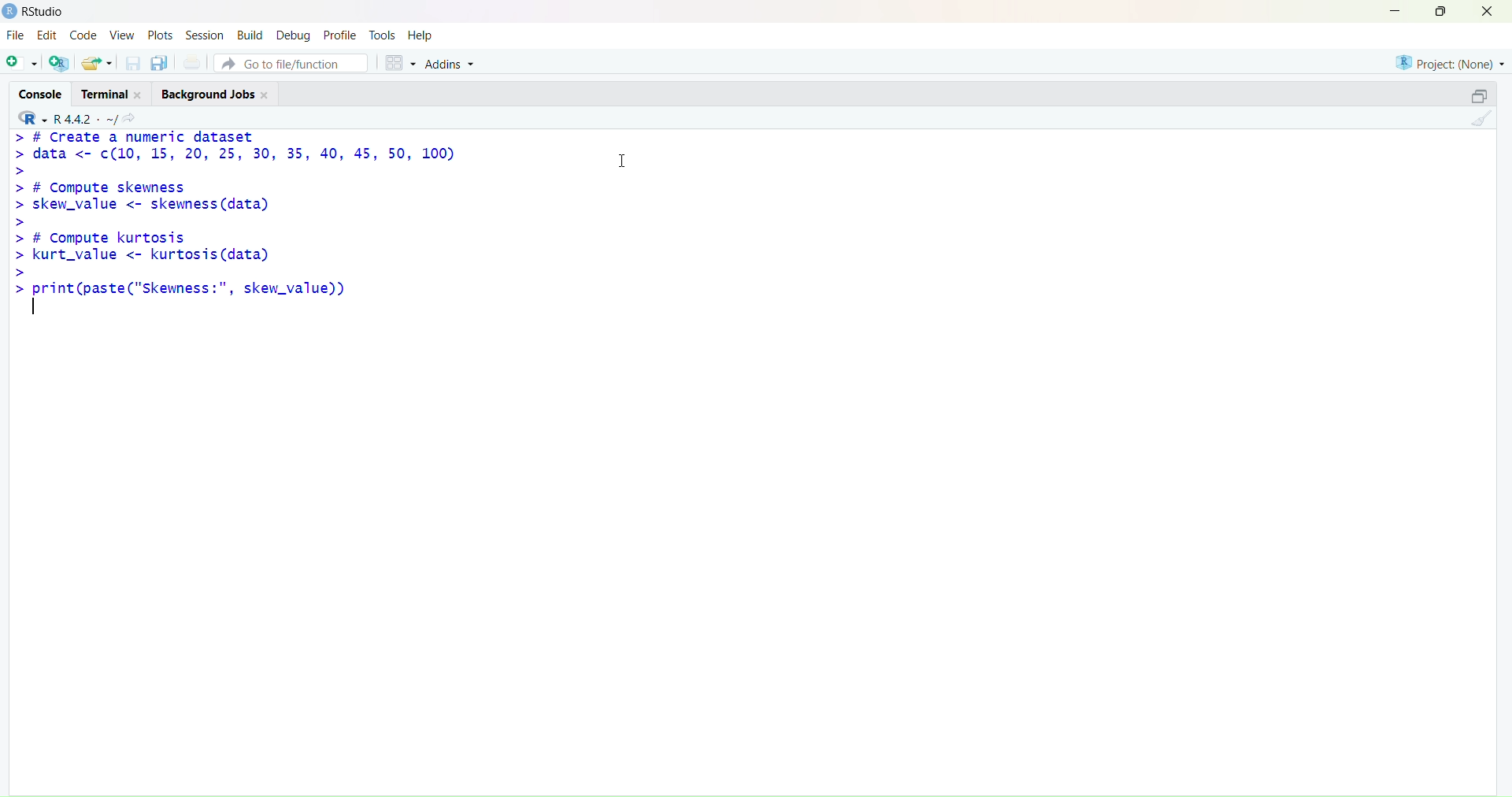 The width and height of the screenshot is (1512, 797). What do you see at coordinates (33, 12) in the screenshot?
I see `RStudio` at bounding box center [33, 12].